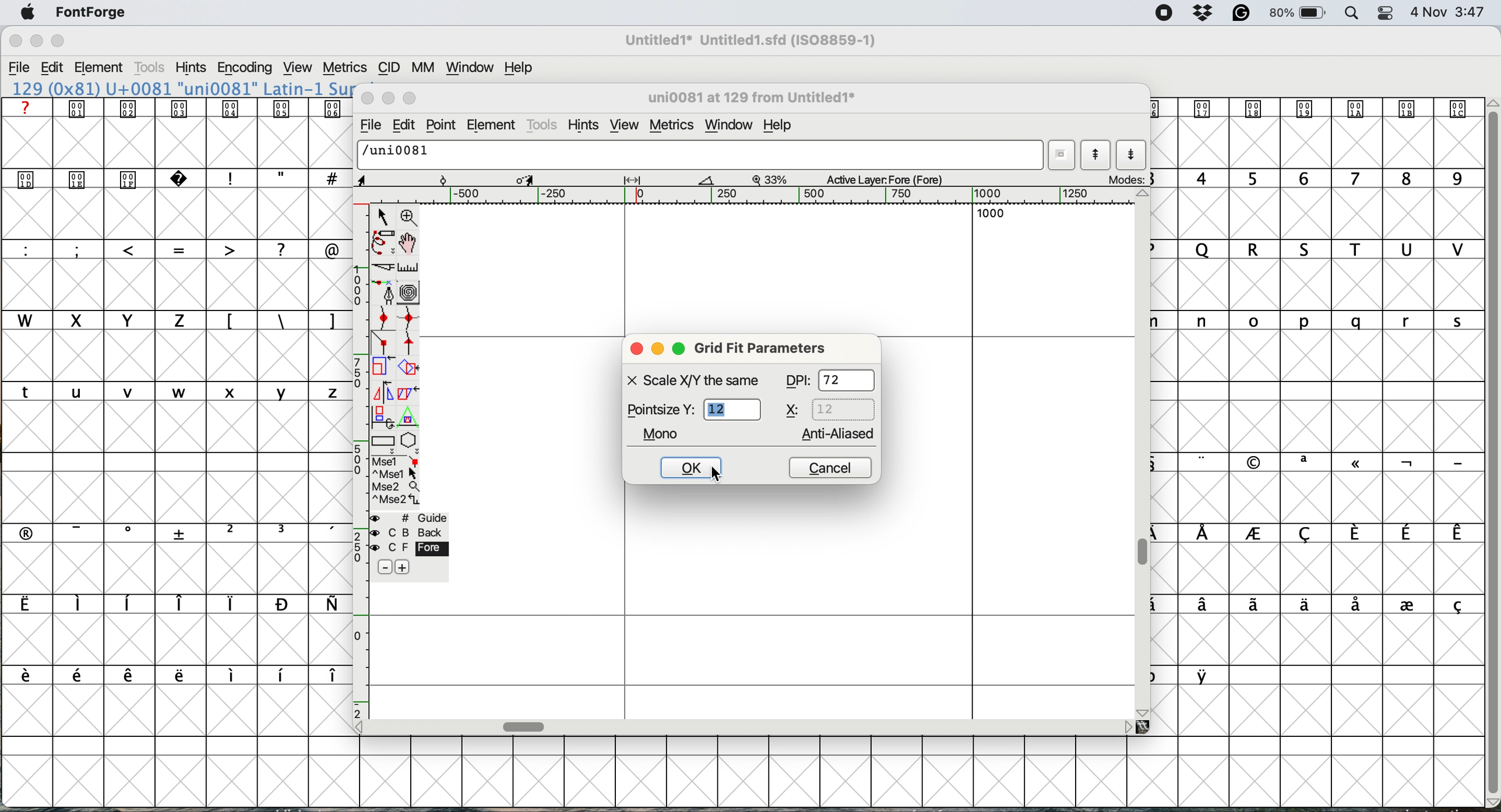 This screenshot has height=812, width=1501. I want to click on zoom, so click(412, 217).